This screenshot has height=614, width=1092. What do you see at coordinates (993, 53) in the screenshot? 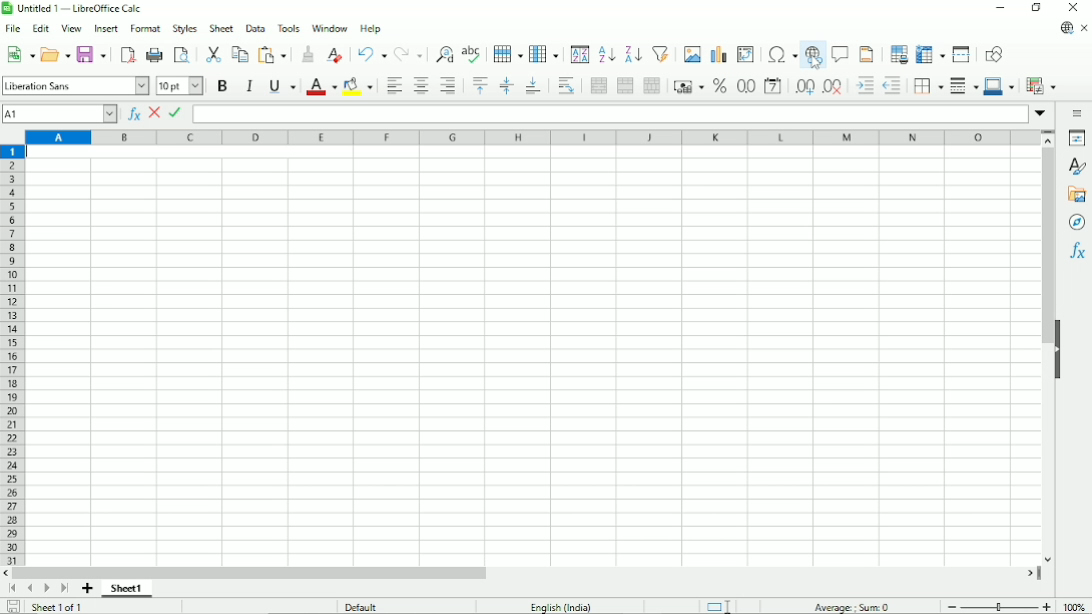
I see `show draw function` at bounding box center [993, 53].